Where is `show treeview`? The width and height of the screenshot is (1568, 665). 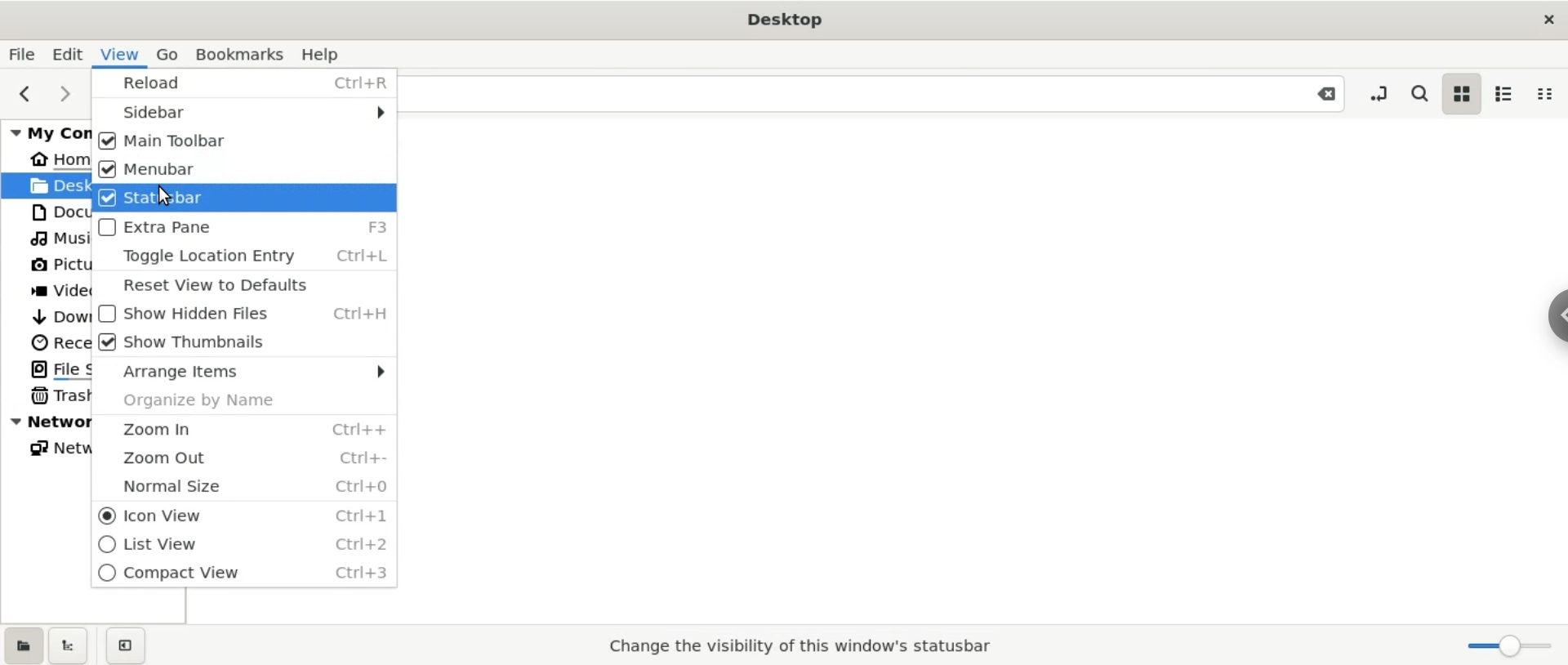
show treeview is located at coordinates (69, 645).